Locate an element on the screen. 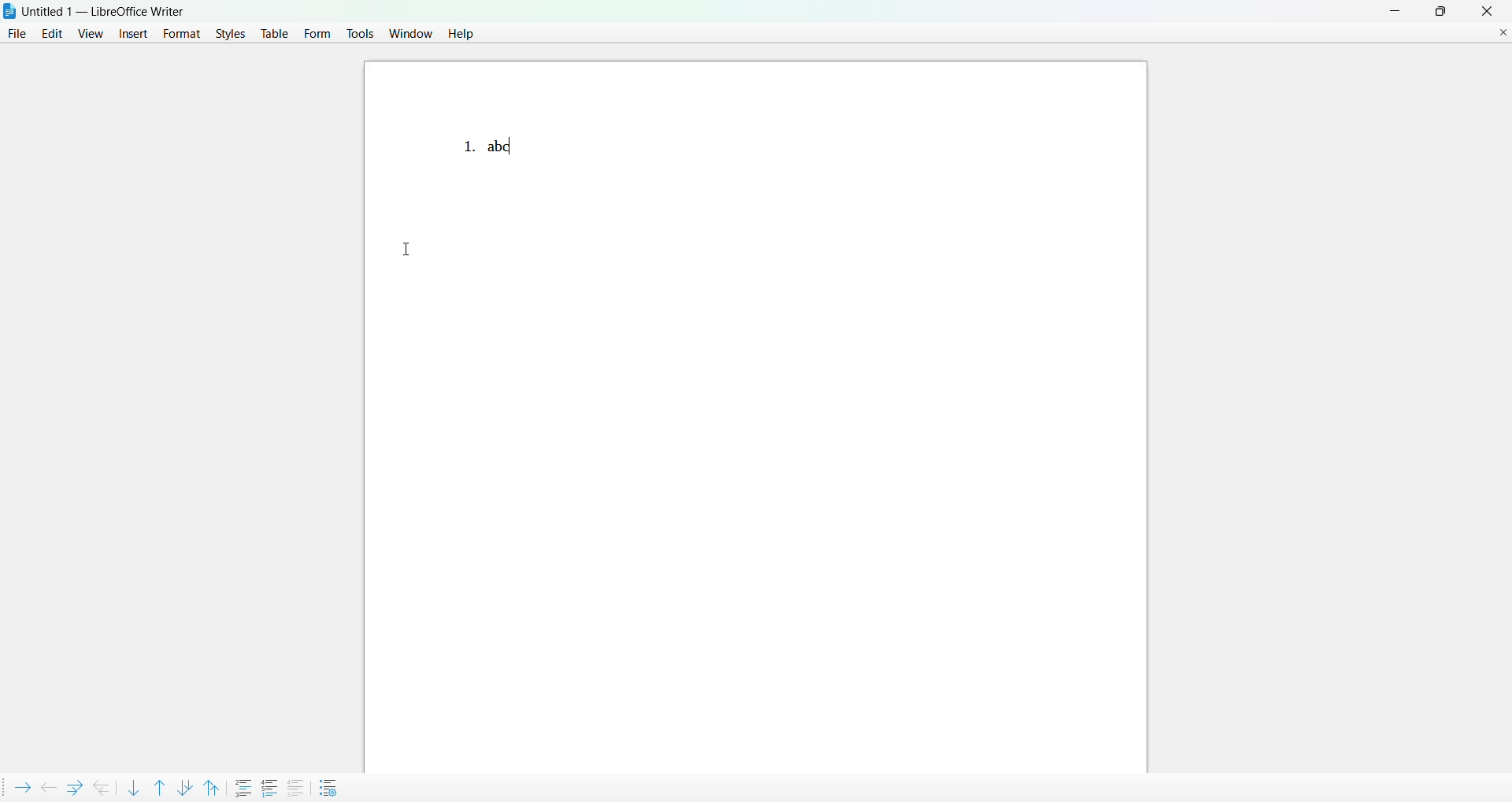  window is located at coordinates (410, 33).